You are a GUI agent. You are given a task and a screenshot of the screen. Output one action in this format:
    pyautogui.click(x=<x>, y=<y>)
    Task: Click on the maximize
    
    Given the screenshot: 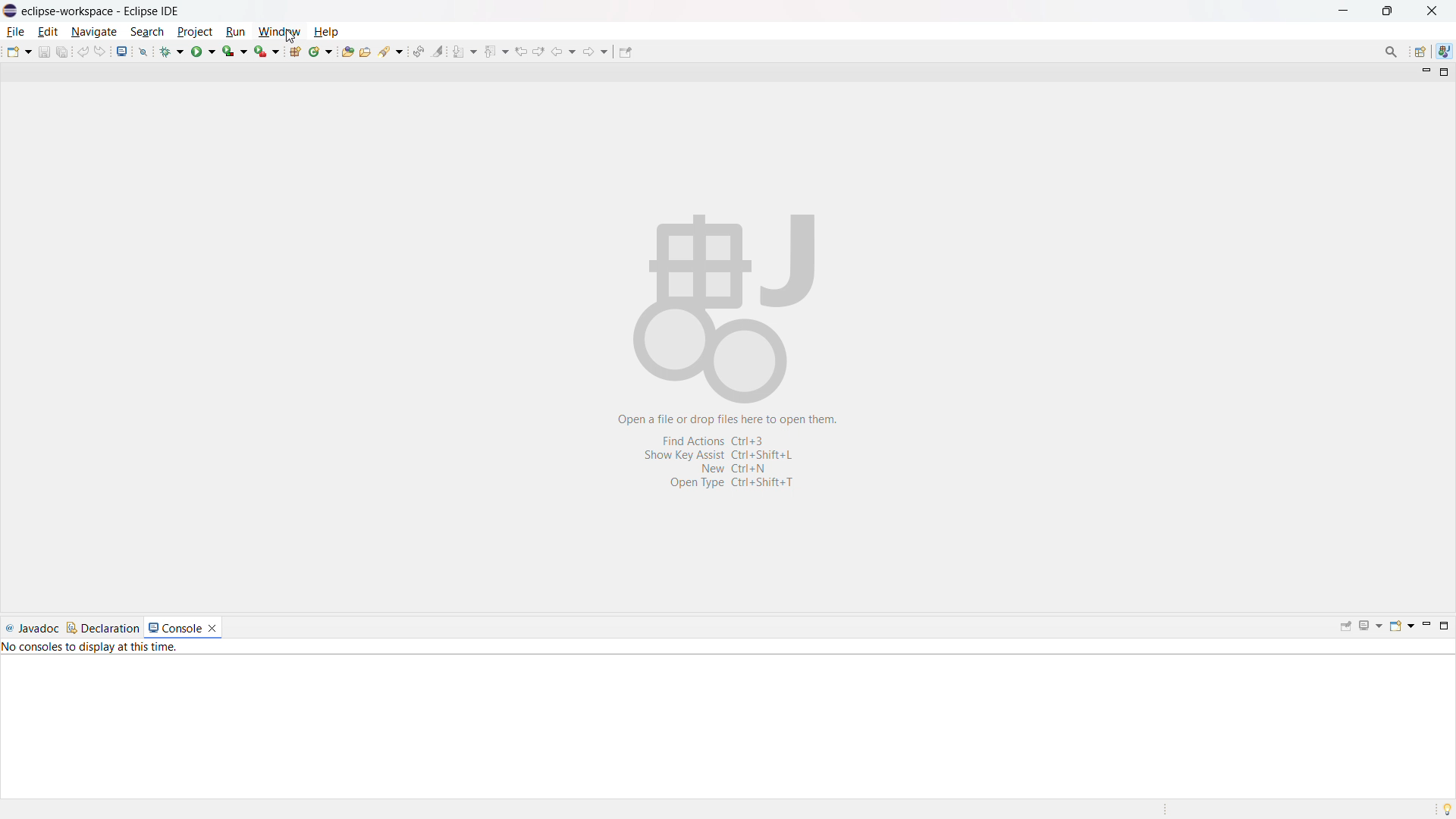 What is the action you would take?
    pyautogui.click(x=1445, y=626)
    